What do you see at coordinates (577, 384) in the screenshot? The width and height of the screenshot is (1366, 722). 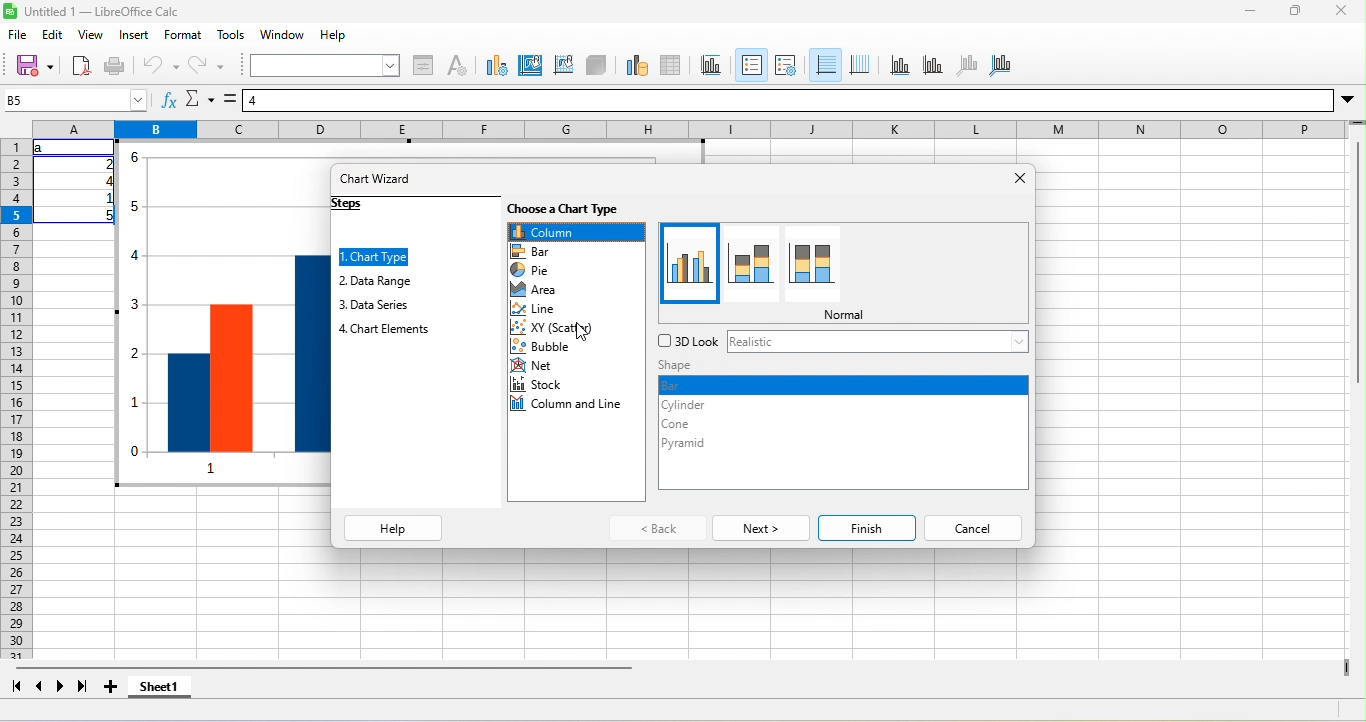 I see `stock` at bounding box center [577, 384].